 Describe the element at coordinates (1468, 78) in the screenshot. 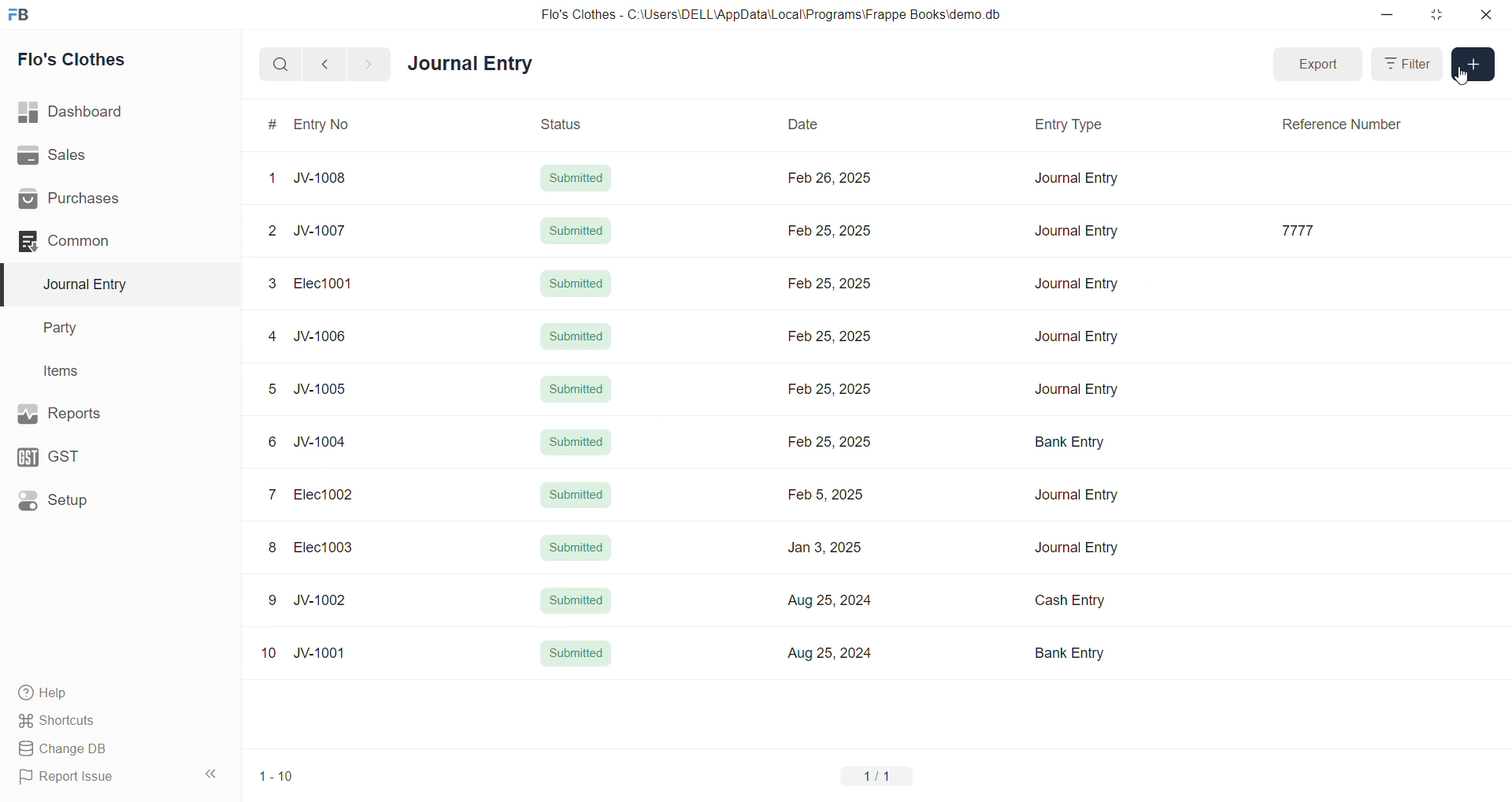

I see `cursor` at that location.